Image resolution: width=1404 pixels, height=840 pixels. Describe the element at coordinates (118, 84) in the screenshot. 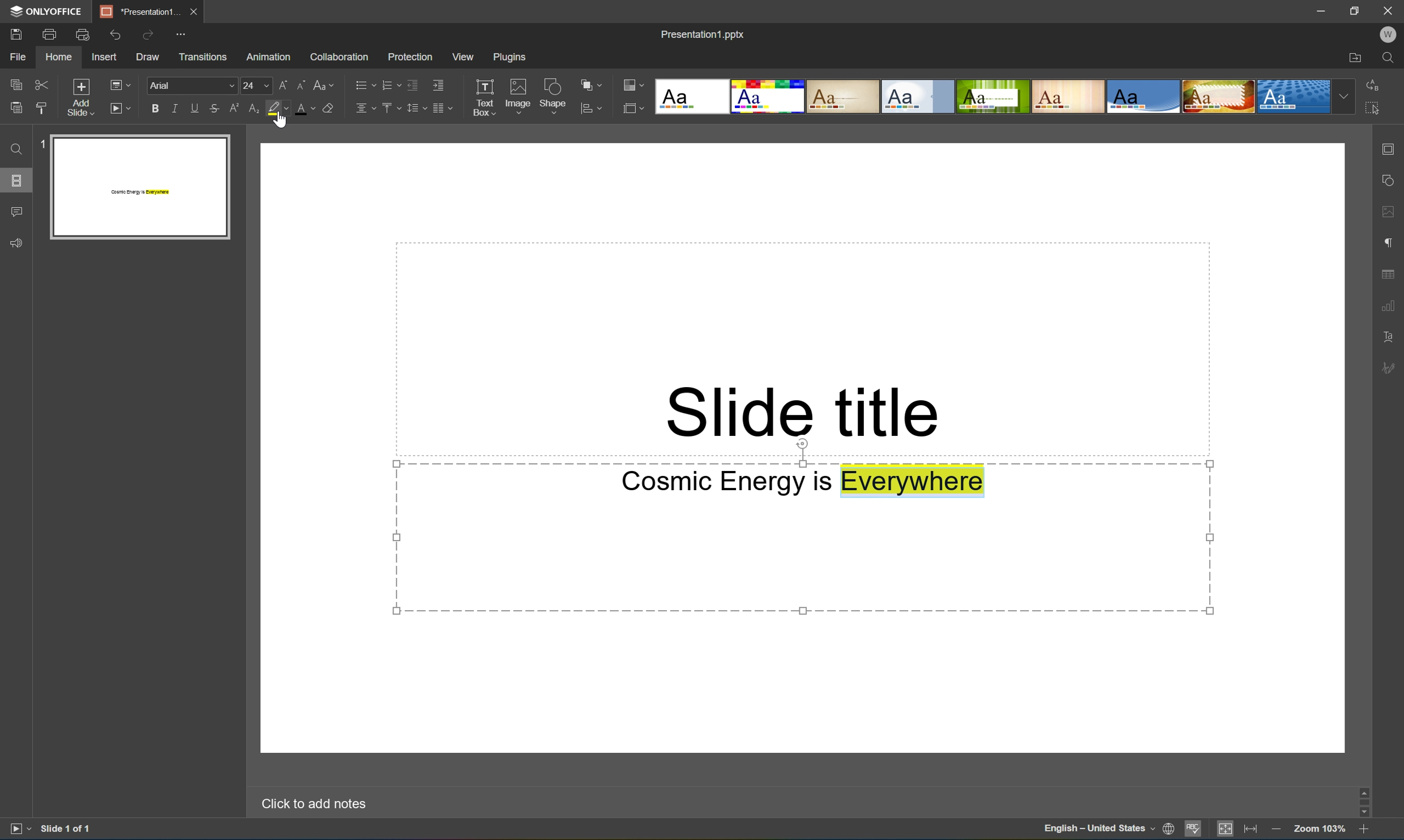

I see `Change slide layout` at that location.